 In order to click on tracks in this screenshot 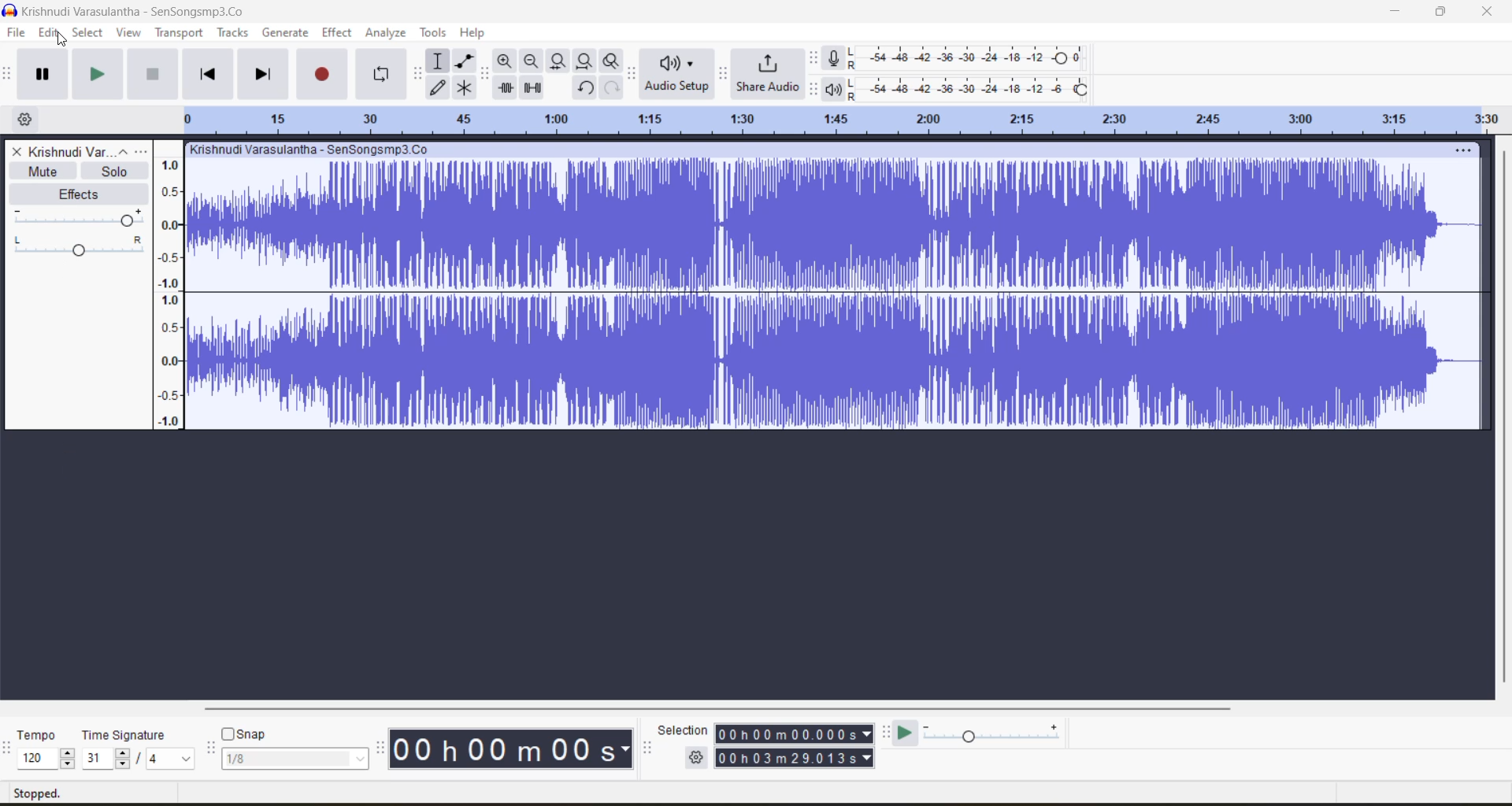, I will do `click(236, 33)`.